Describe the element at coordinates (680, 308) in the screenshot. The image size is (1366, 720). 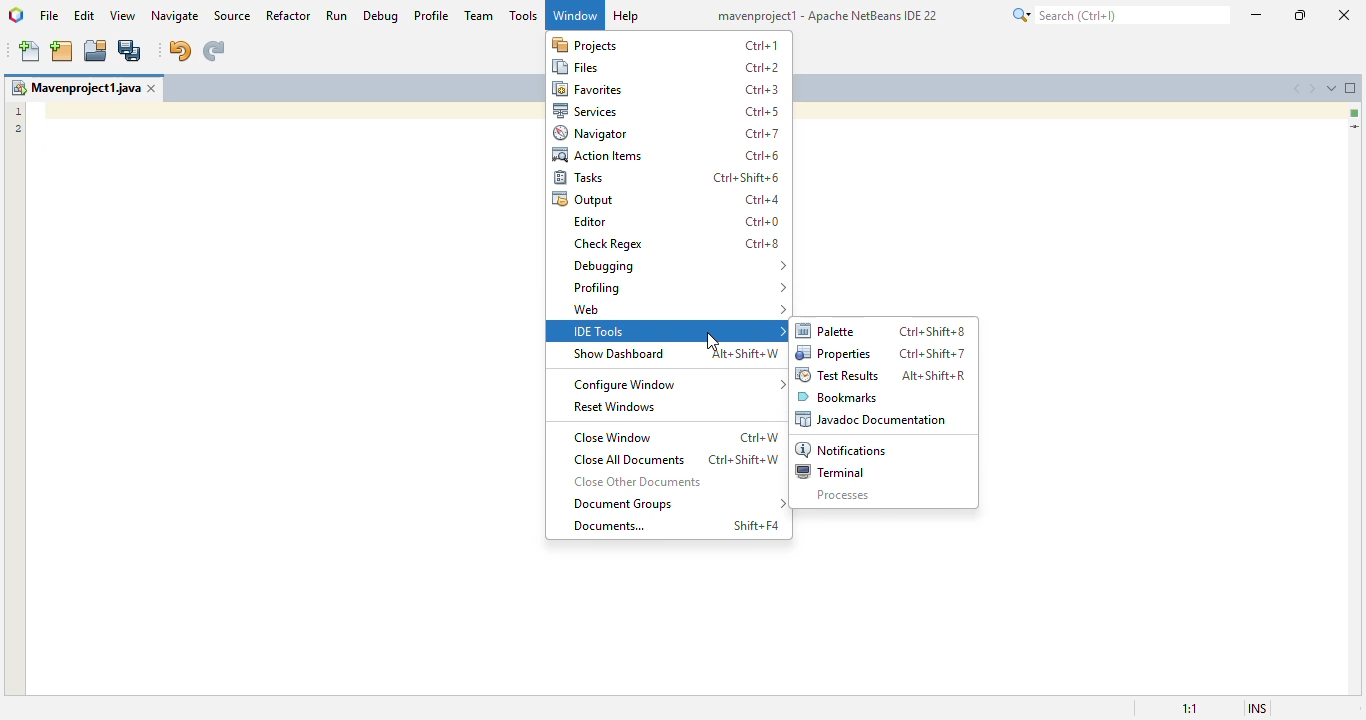
I see `web` at that location.